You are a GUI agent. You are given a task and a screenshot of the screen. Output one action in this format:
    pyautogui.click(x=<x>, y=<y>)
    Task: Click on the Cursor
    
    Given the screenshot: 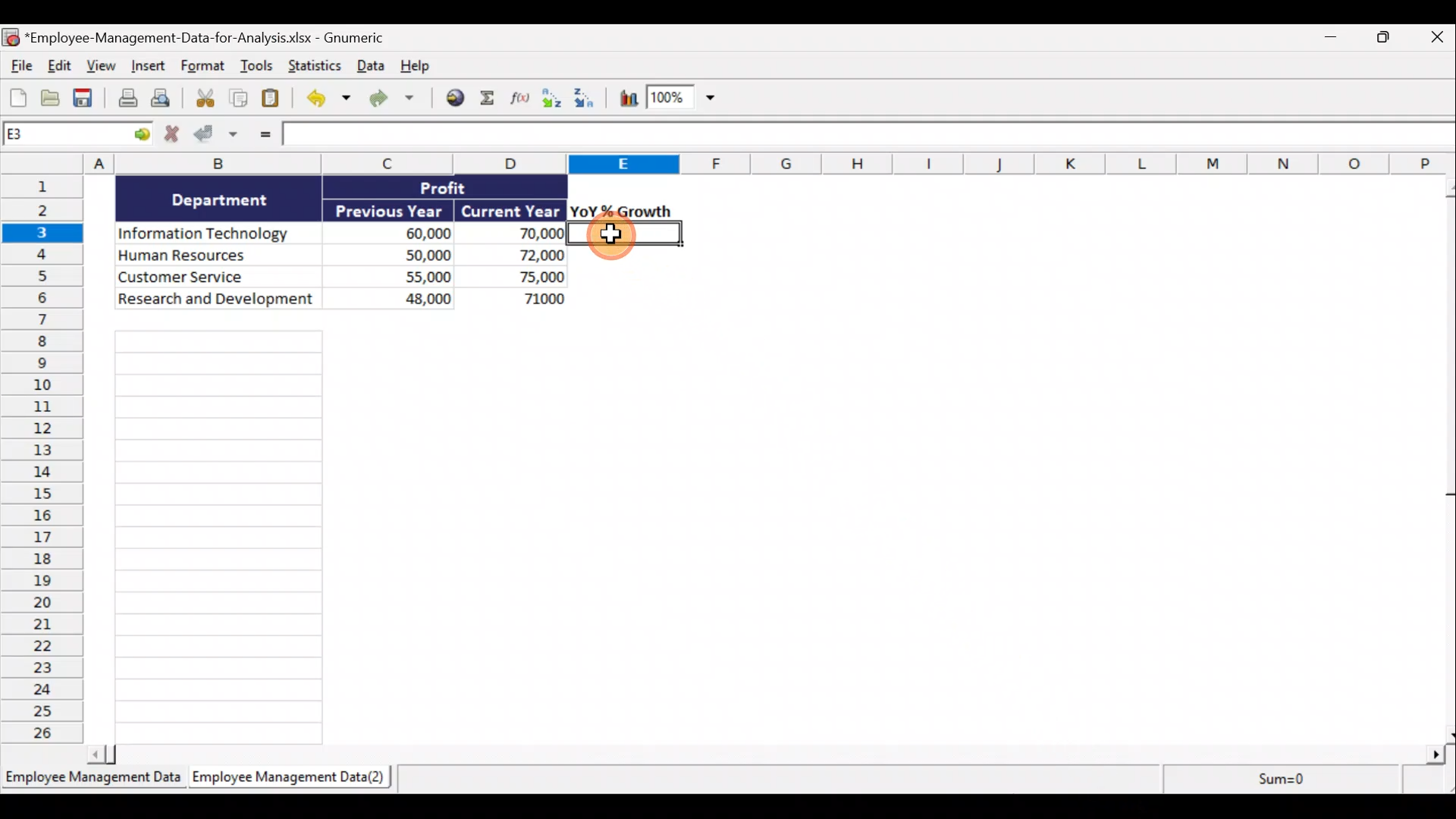 What is the action you would take?
    pyautogui.click(x=610, y=234)
    